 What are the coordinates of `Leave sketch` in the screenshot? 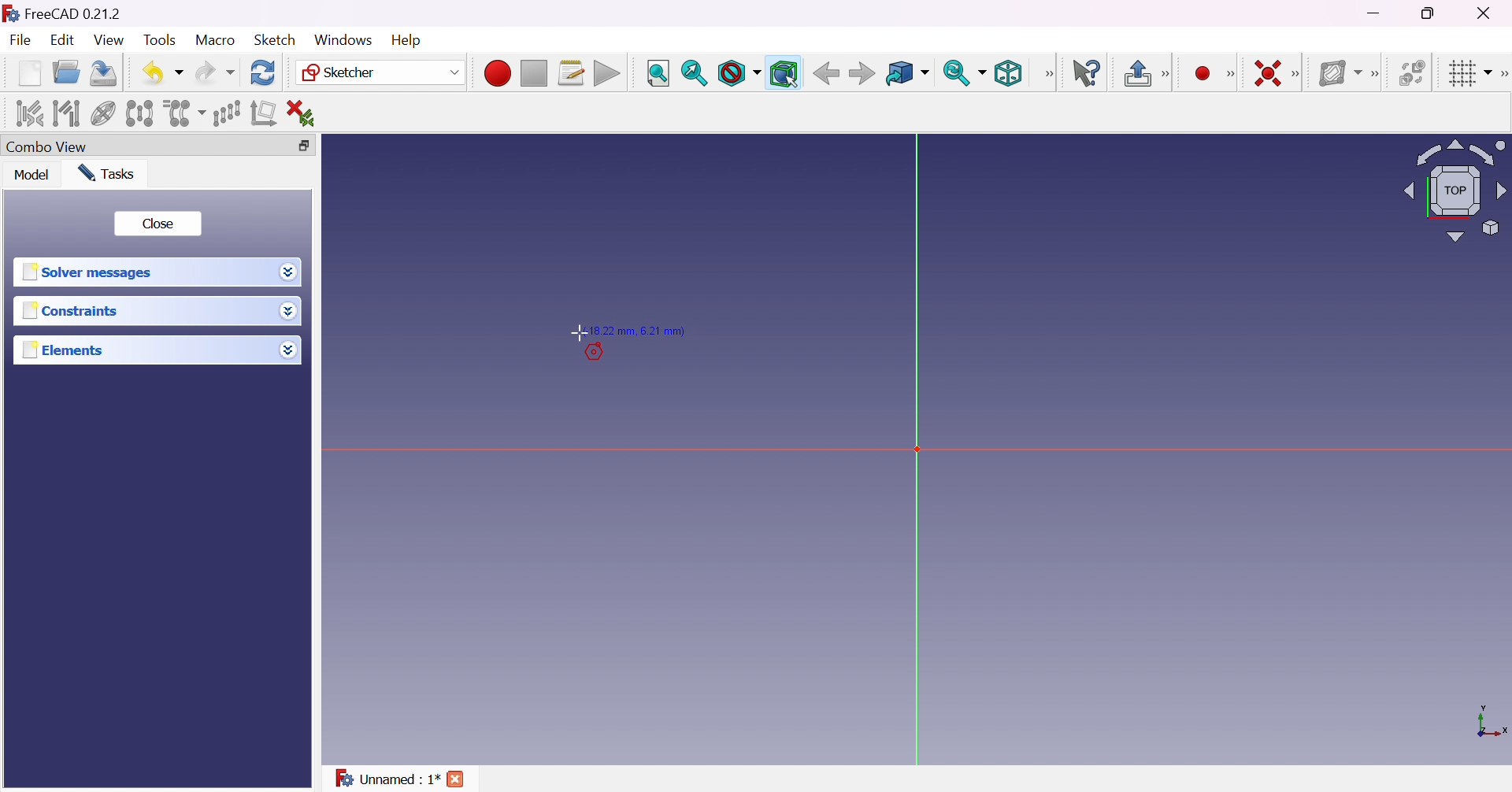 It's located at (1136, 73).